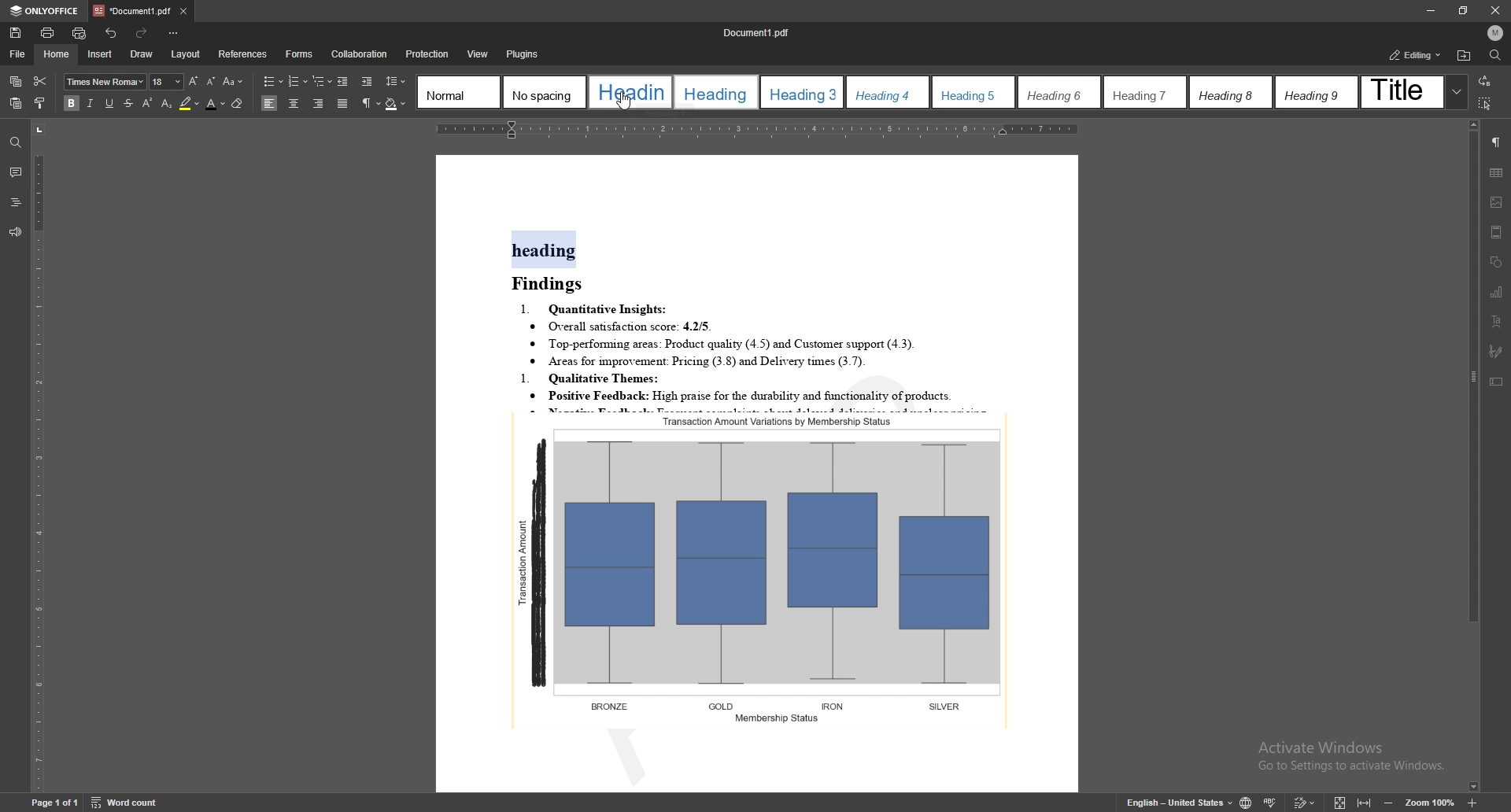 The width and height of the screenshot is (1511, 812). Describe the element at coordinates (133, 803) in the screenshot. I see `word count` at that location.